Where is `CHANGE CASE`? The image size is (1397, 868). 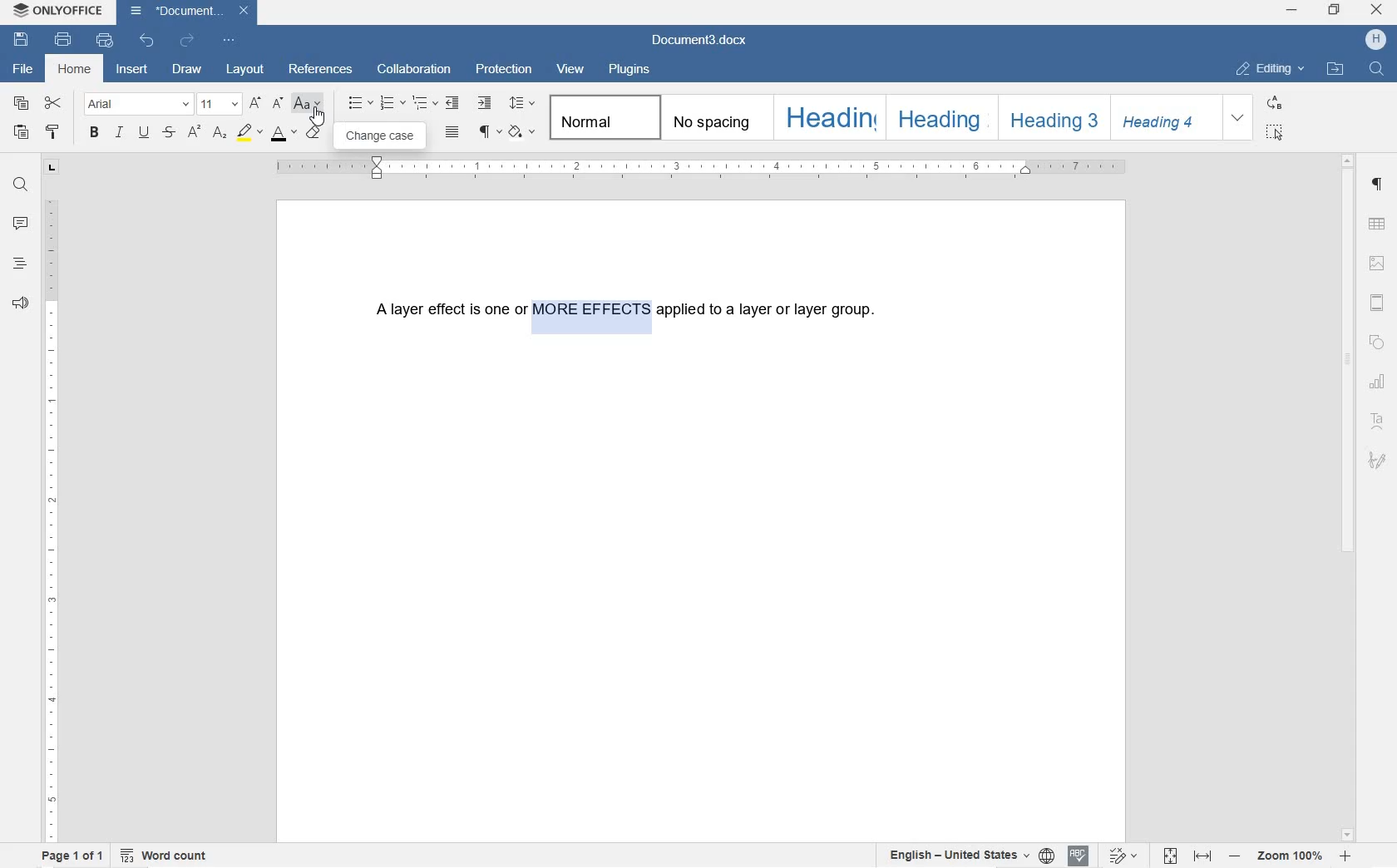 CHANGE CASE is located at coordinates (380, 138).